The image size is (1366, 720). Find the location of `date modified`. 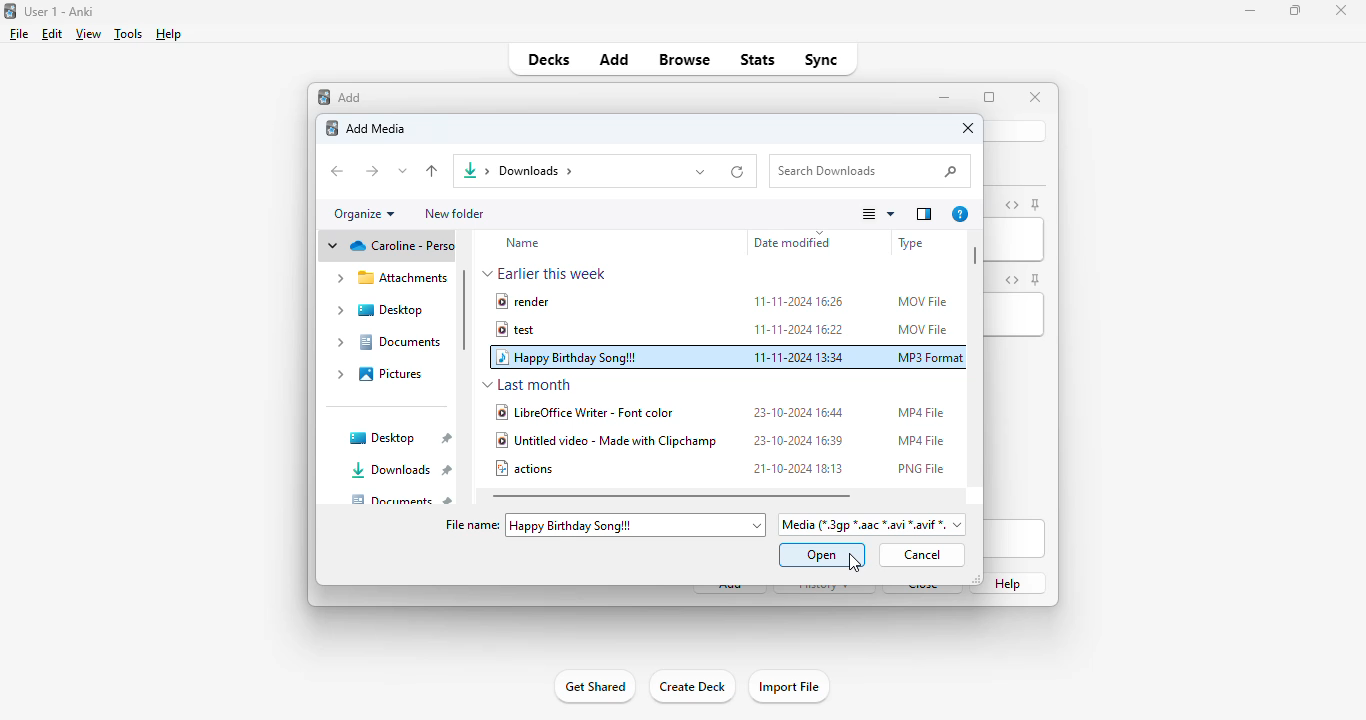

date modified is located at coordinates (797, 242).